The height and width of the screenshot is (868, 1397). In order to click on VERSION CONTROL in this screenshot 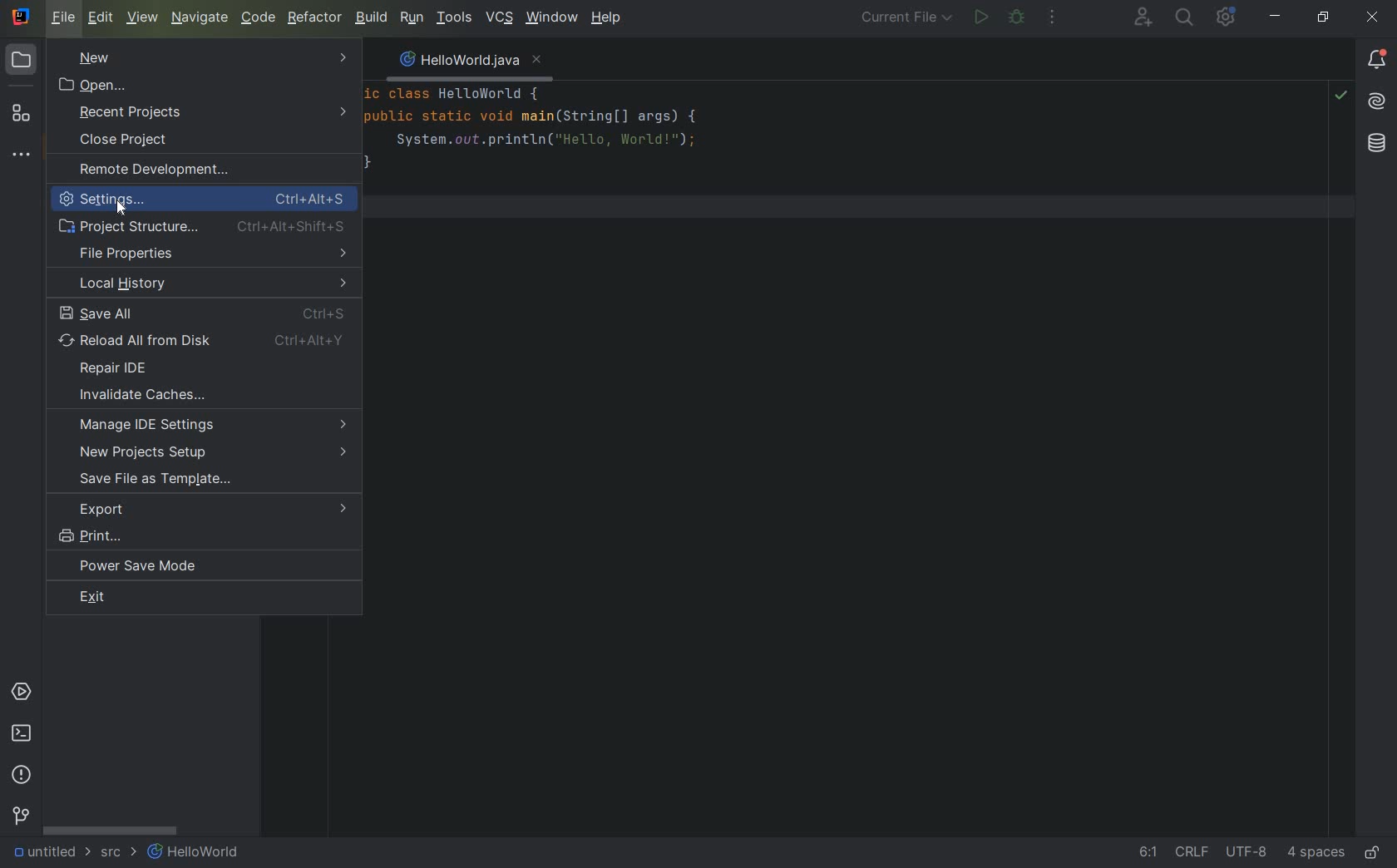, I will do `click(20, 816)`.